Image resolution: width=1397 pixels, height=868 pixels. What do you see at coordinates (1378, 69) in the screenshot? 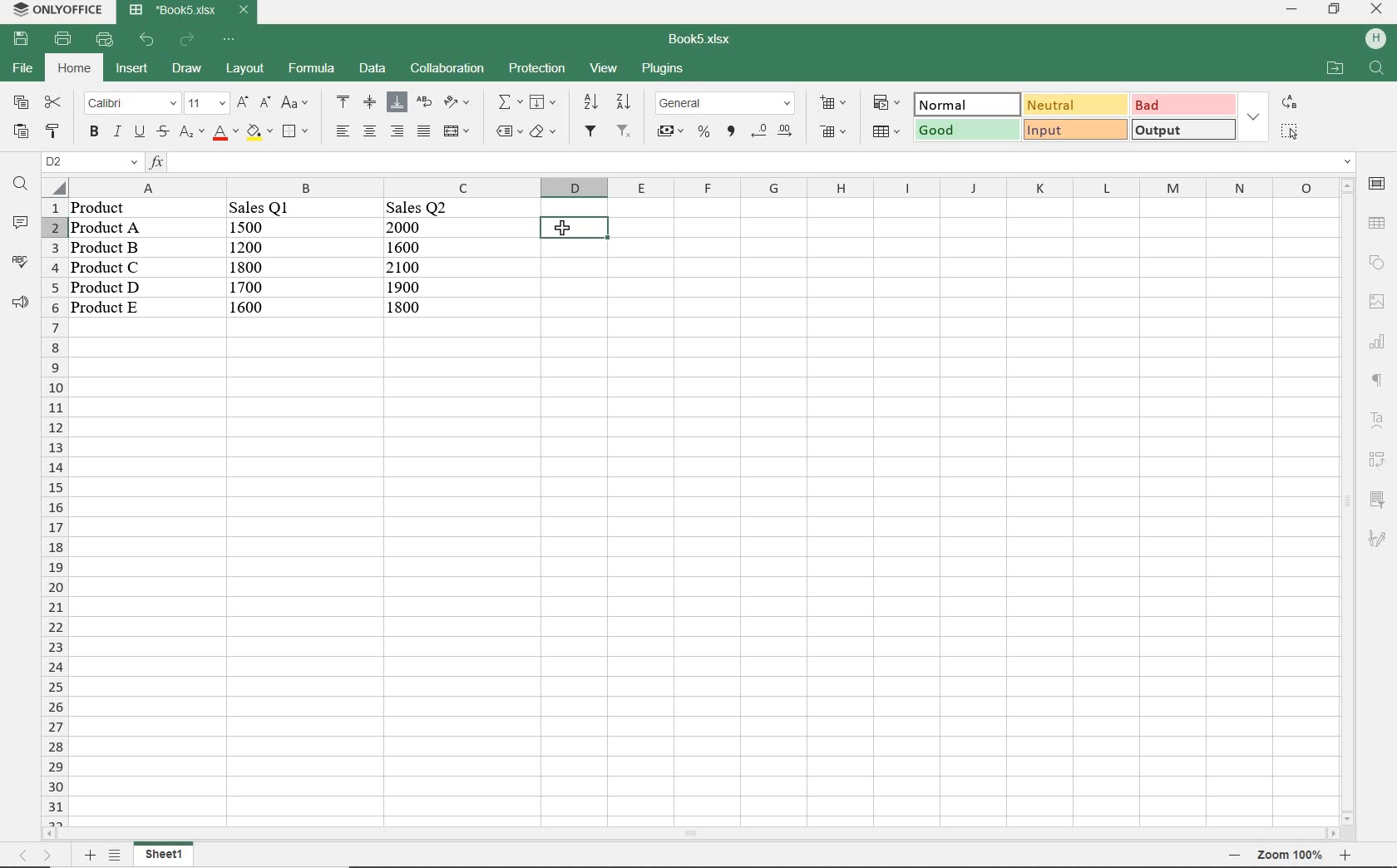
I see `find` at bounding box center [1378, 69].